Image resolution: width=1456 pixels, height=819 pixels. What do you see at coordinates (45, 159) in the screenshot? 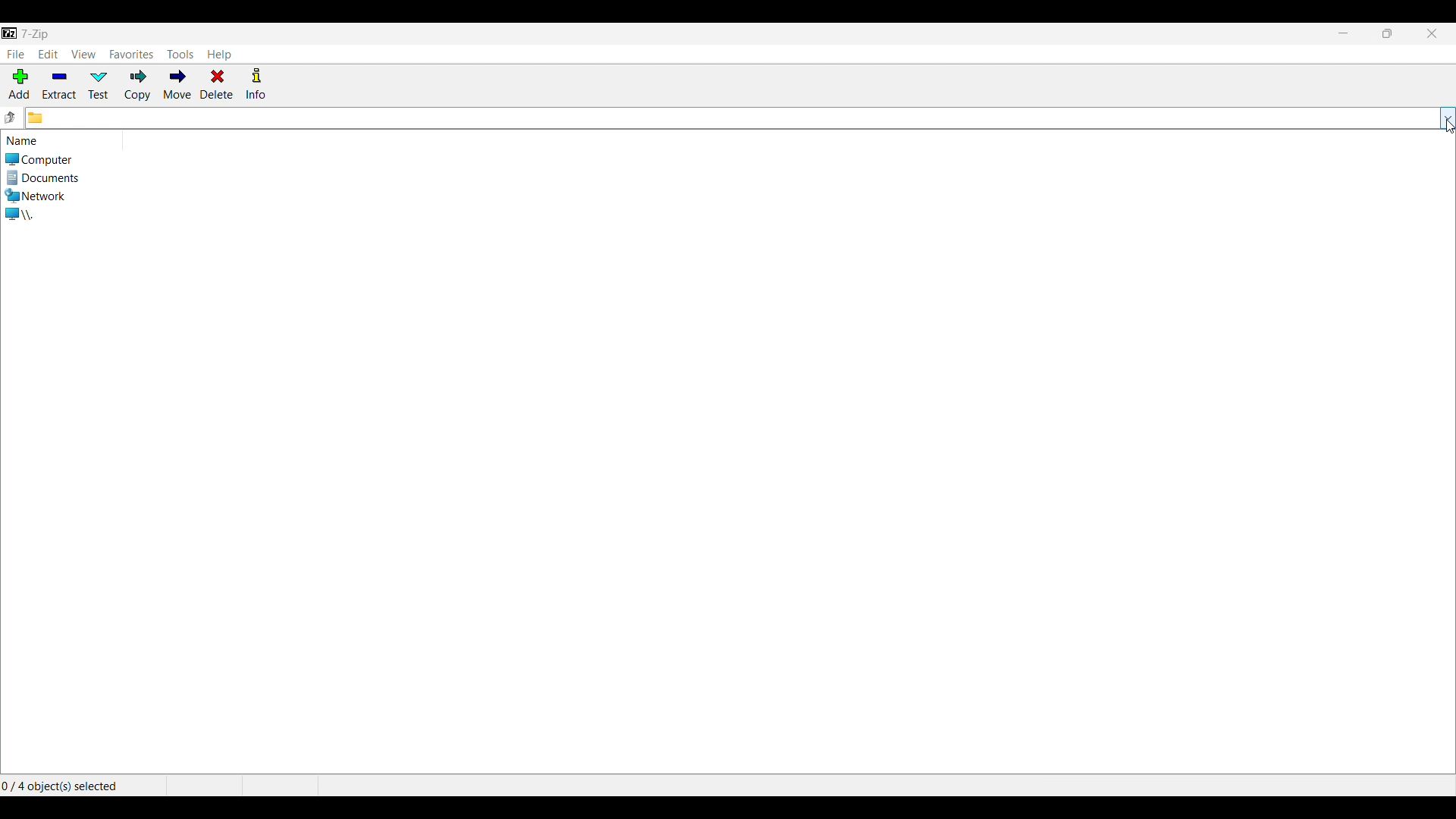
I see `Computer` at bounding box center [45, 159].